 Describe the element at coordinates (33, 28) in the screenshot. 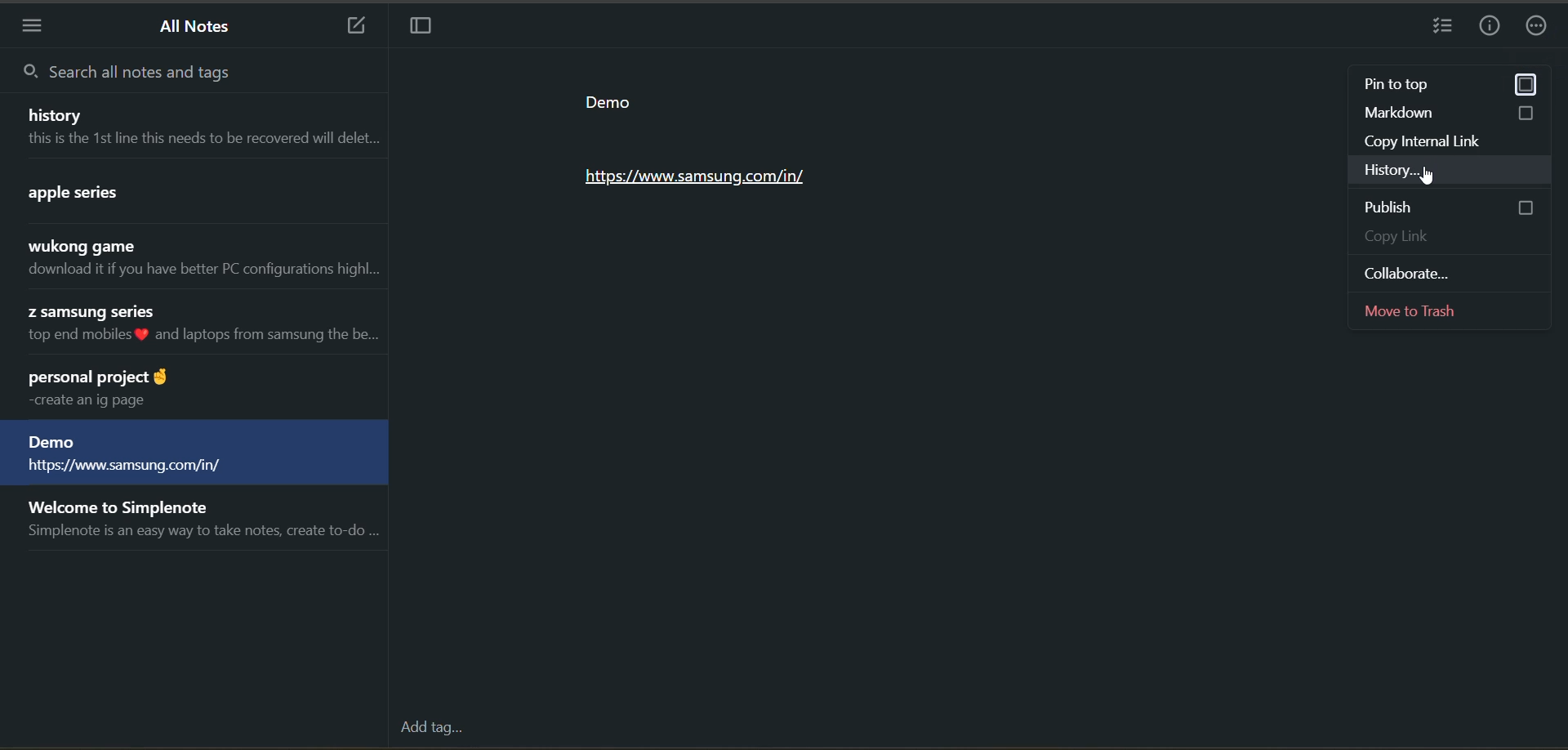

I see `menu` at that location.